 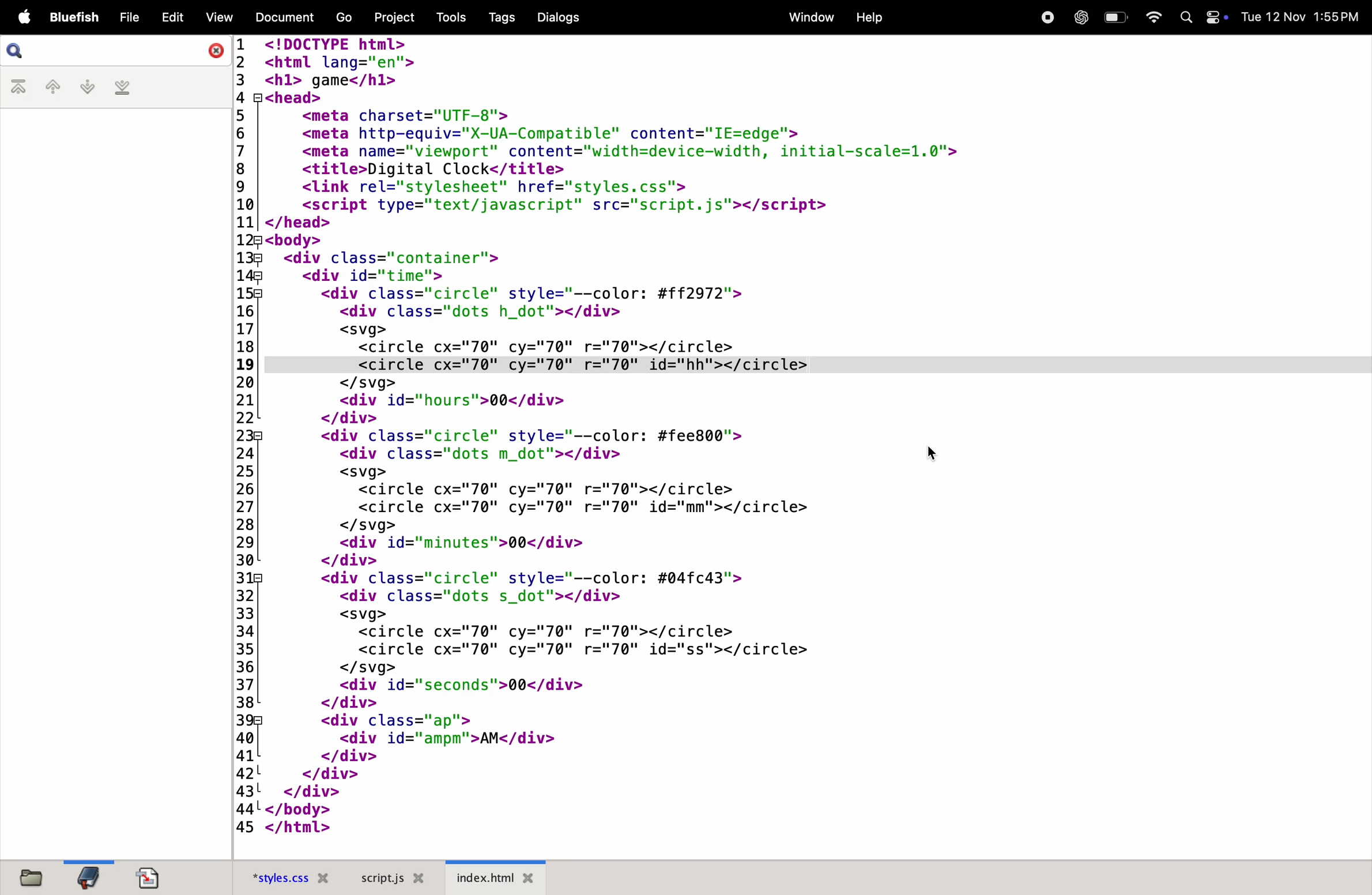 I want to click on documents, so click(x=281, y=17).